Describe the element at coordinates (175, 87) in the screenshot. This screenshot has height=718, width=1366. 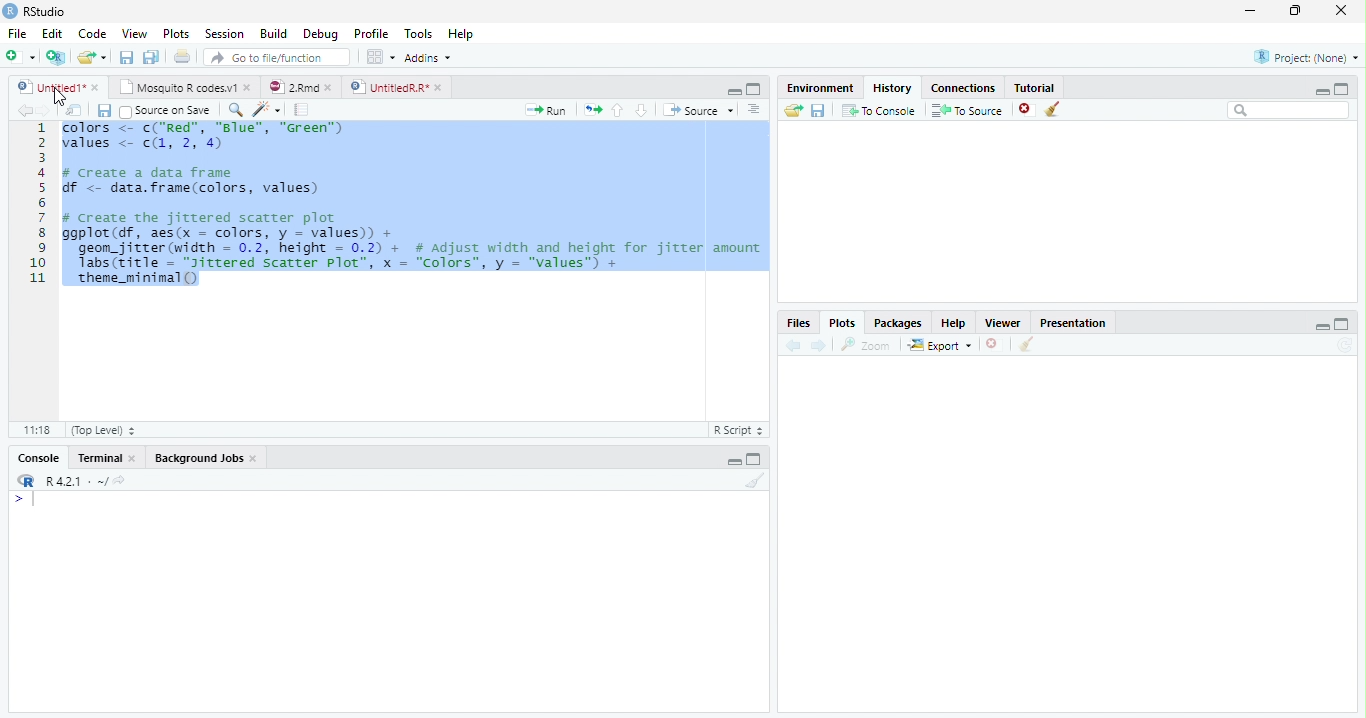
I see `Mosquito R codes.v1` at that location.